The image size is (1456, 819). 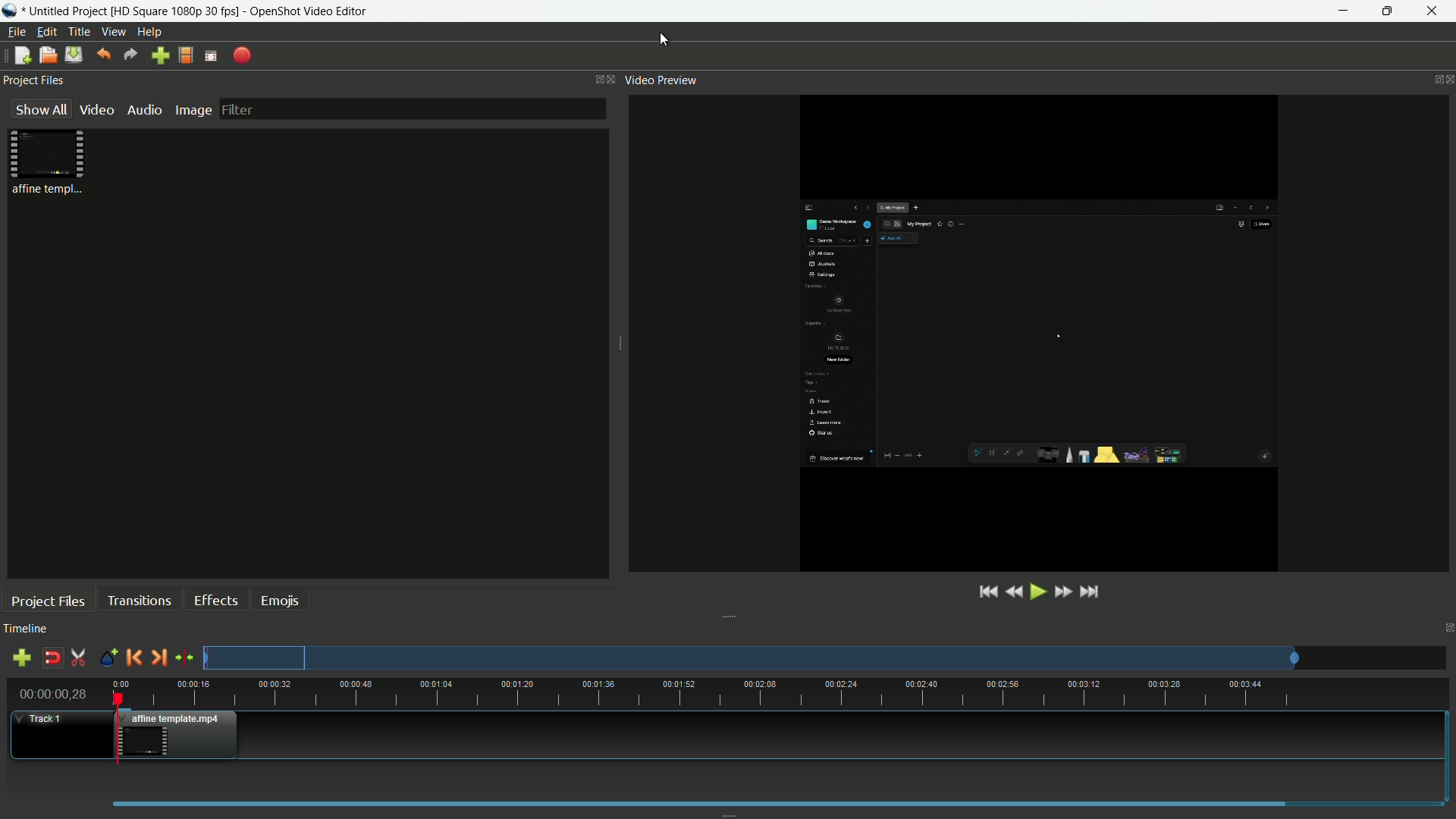 What do you see at coordinates (1447, 629) in the screenshot?
I see `close timeline` at bounding box center [1447, 629].